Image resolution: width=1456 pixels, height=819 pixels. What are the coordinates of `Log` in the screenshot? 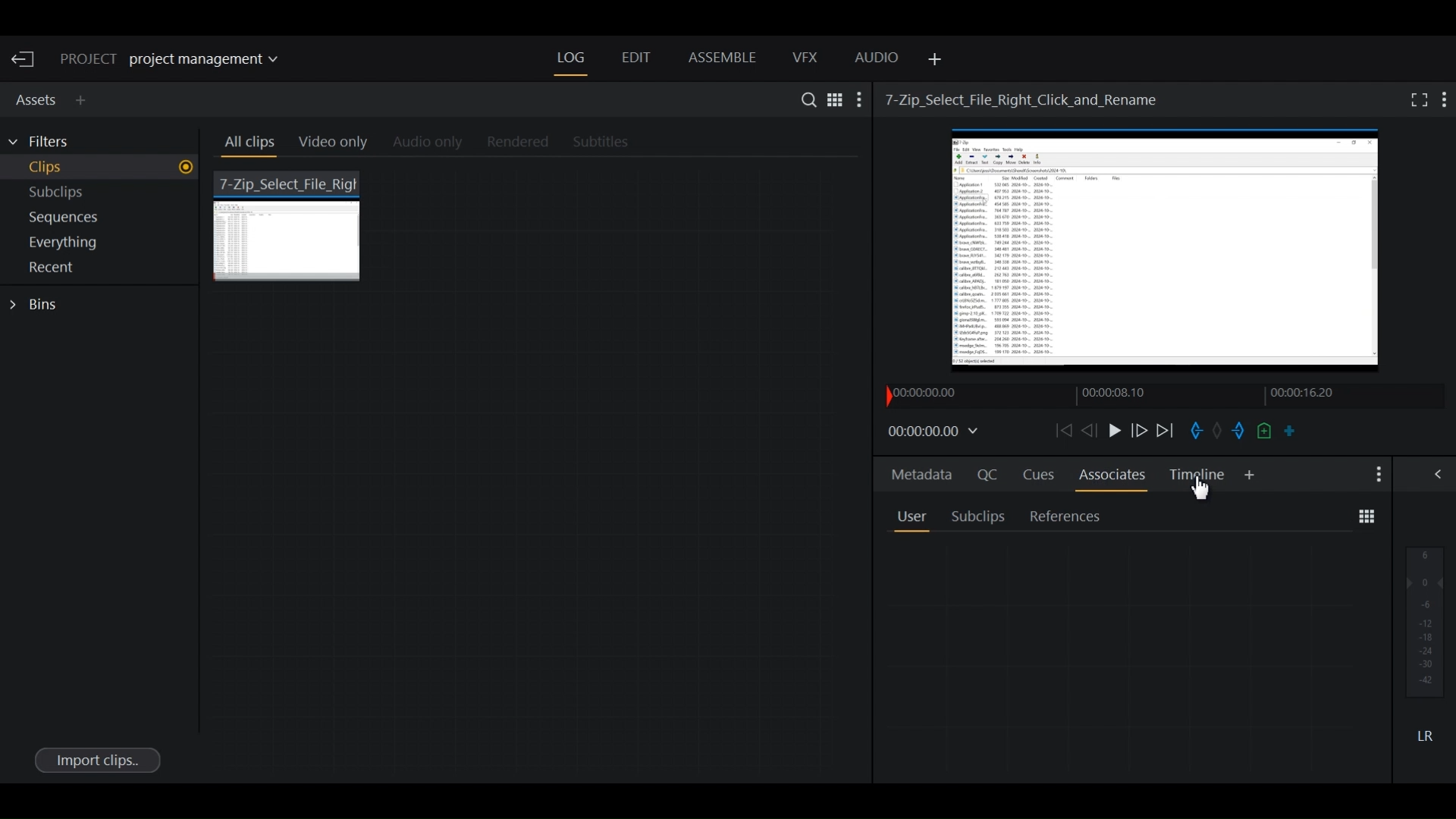 It's located at (571, 58).